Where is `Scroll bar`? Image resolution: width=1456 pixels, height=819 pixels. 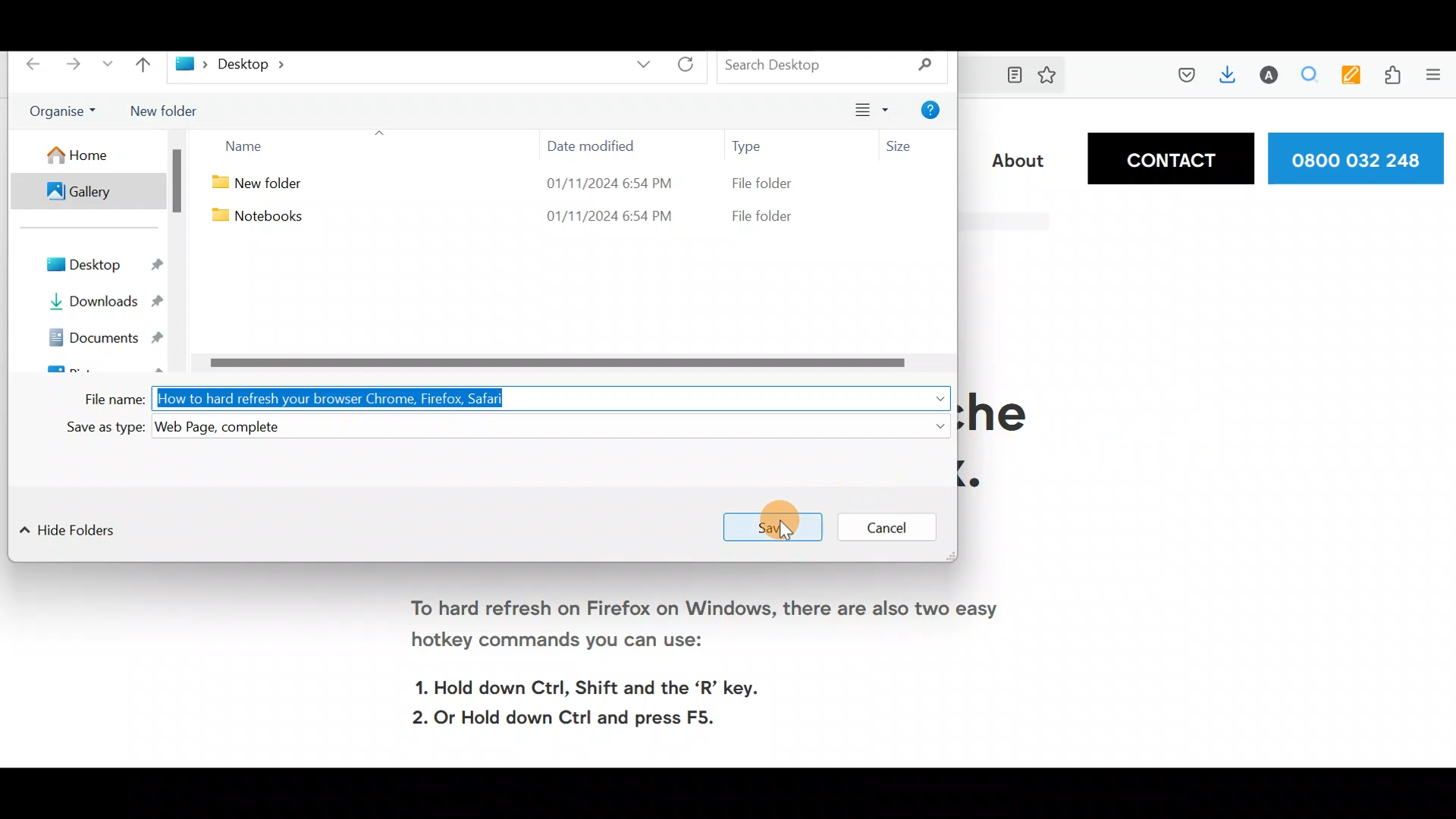
Scroll bar is located at coordinates (172, 183).